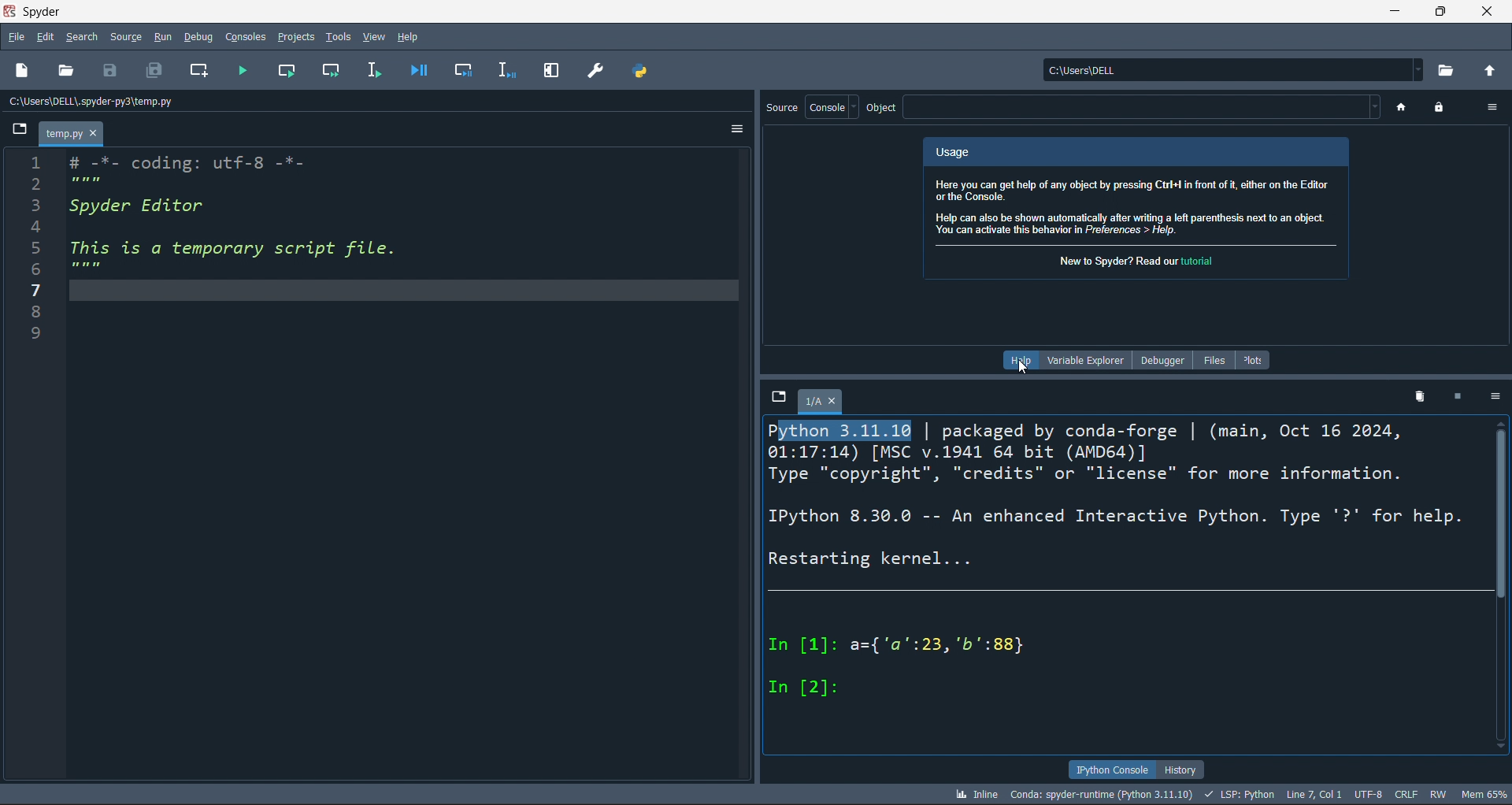 This screenshot has height=805, width=1512. What do you see at coordinates (1254, 359) in the screenshot?
I see `plots` at bounding box center [1254, 359].